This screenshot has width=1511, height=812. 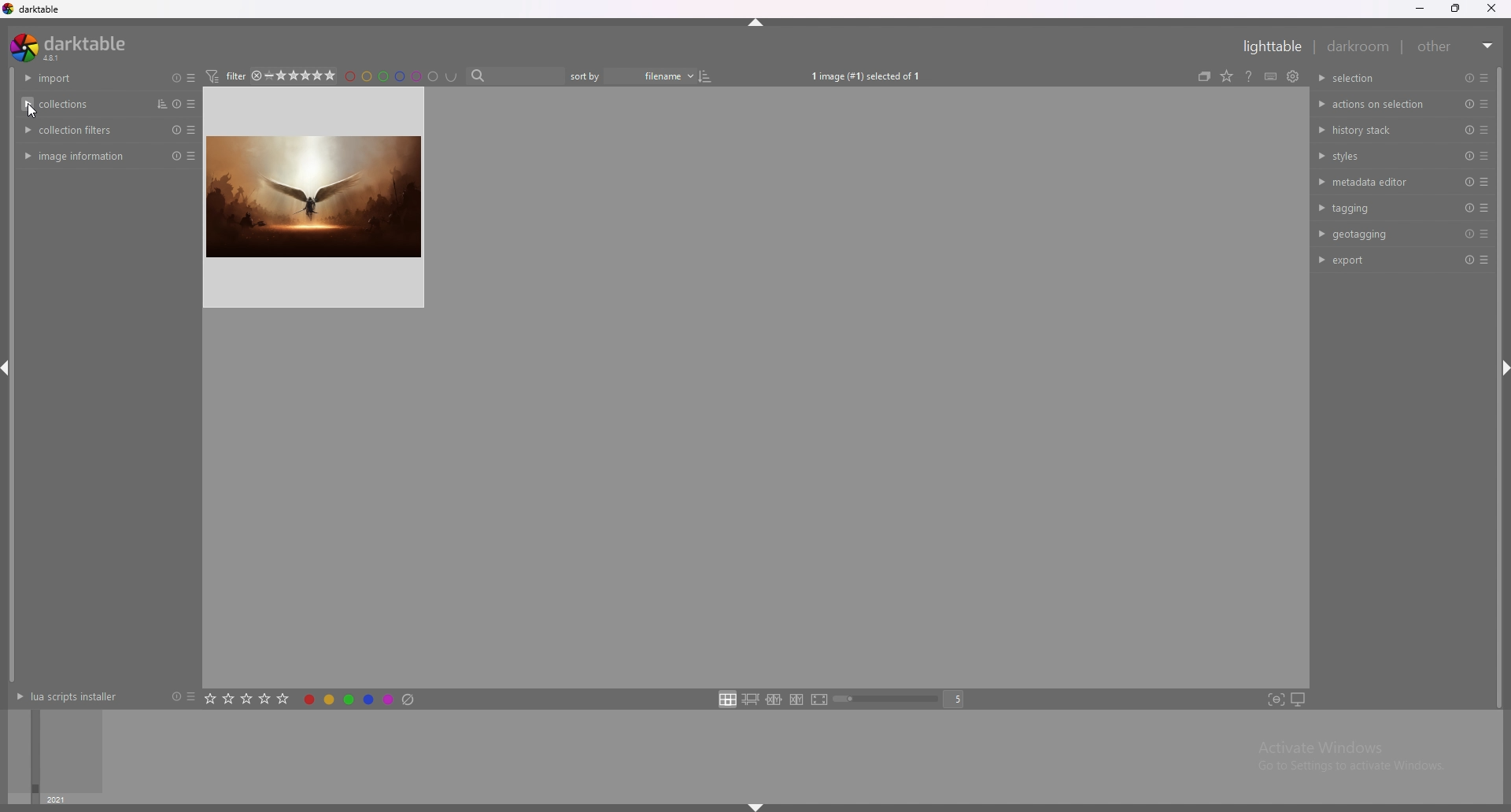 What do you see at coordinates (406, 76) in the screenshot?
I see `filter by color label` at bounding box center [406, 76].